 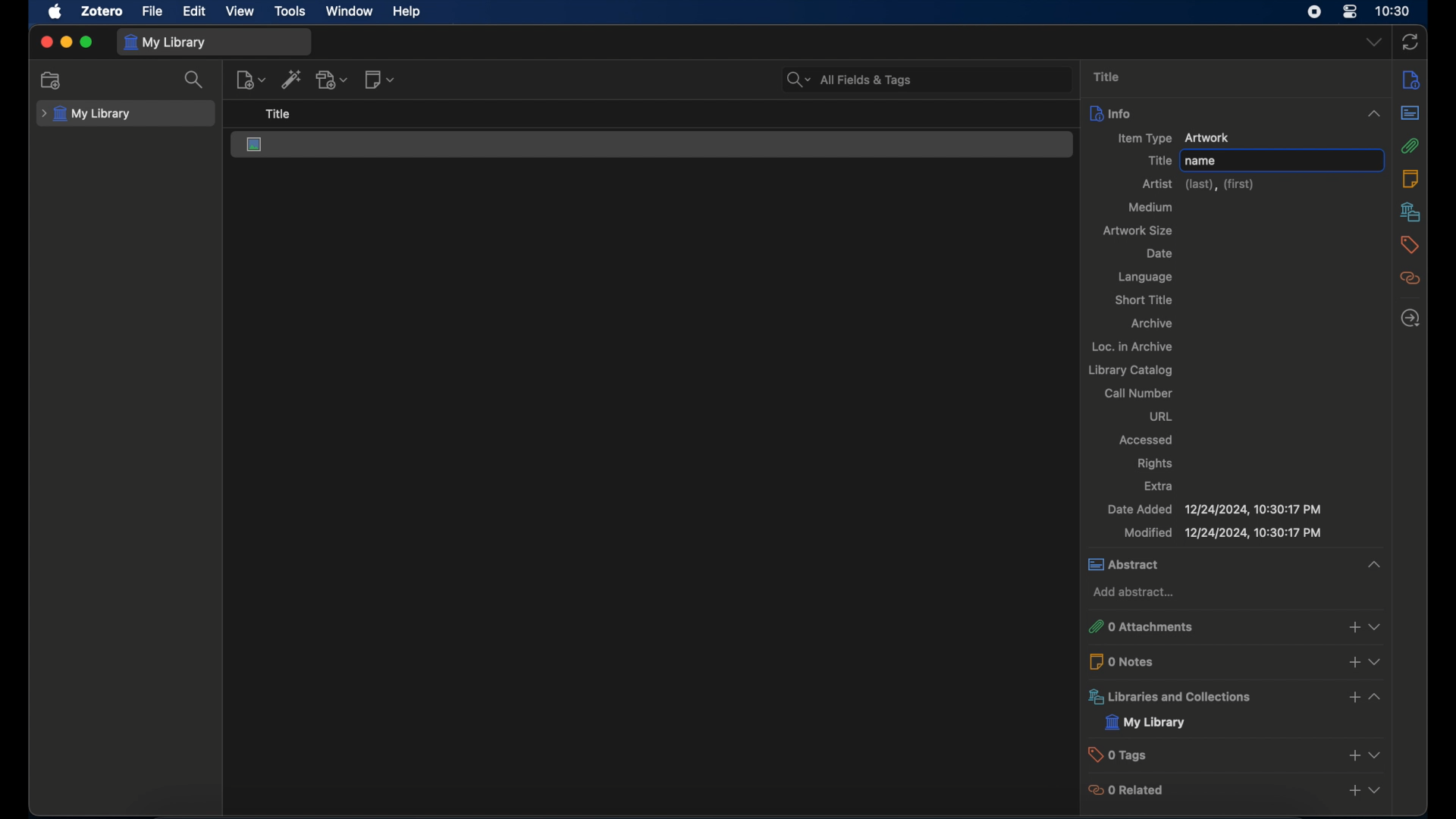 What do you see at coordinates (165, 42) in the screenshot?
I see `my library` at bounding box center [165, 42].